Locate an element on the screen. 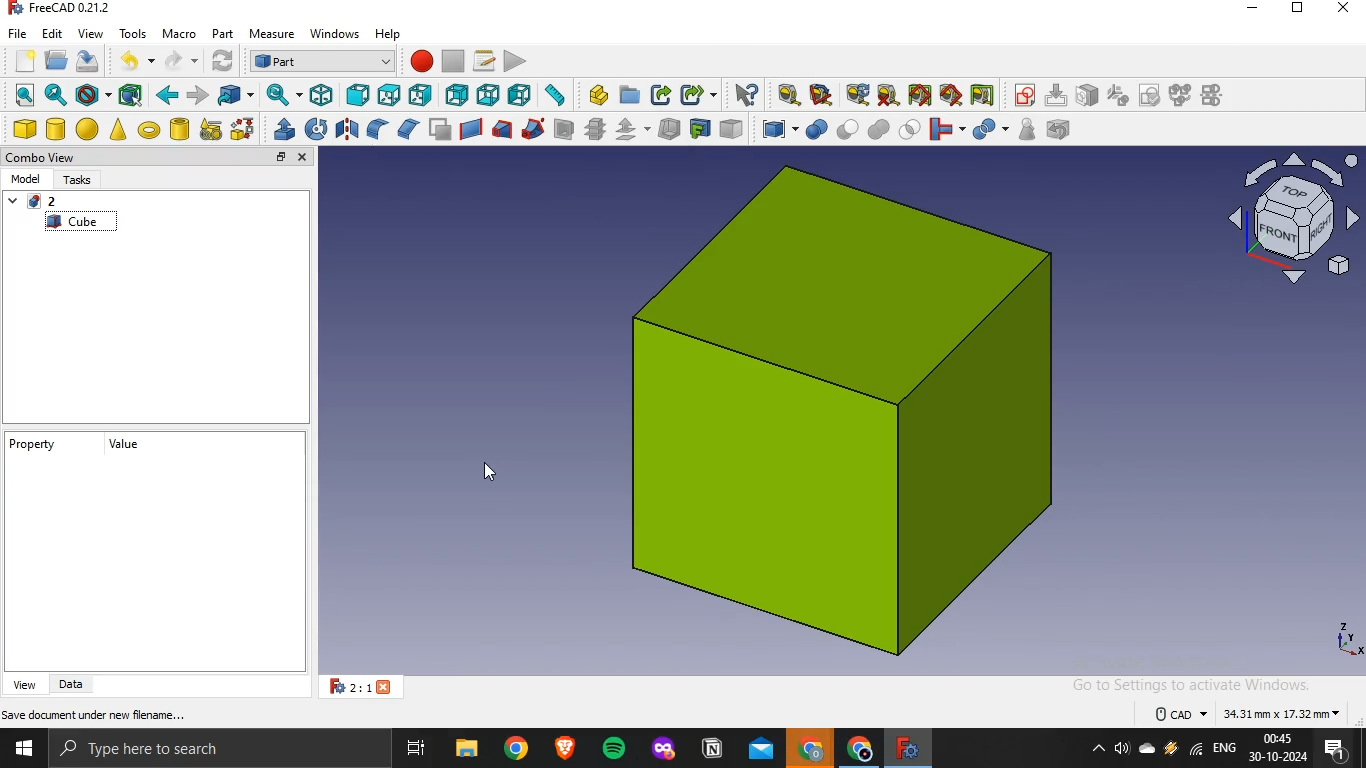 The height and width of the screenshot is (768, 1366). execute macro is located at coordinates (513, 61).